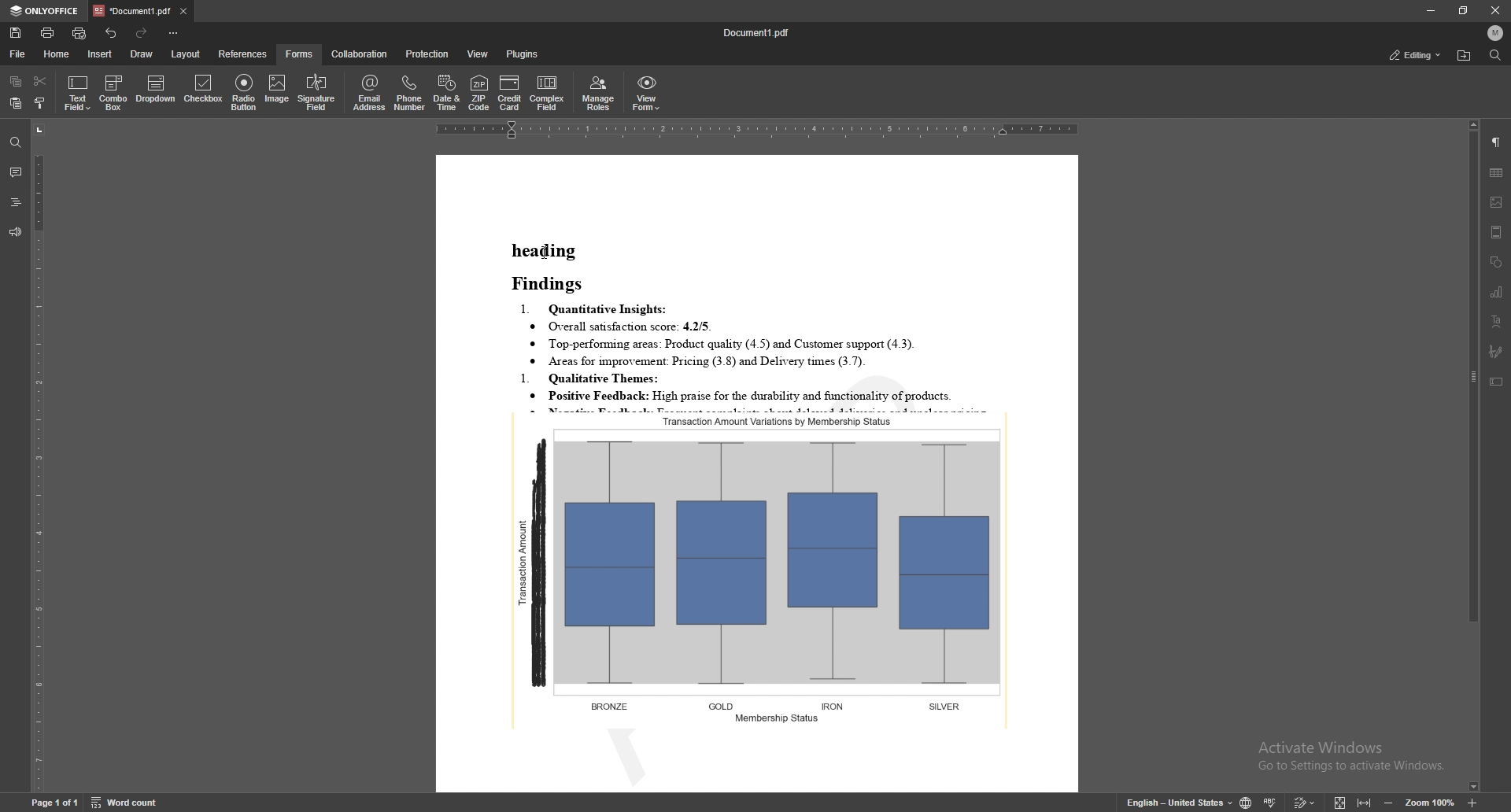 Image resolution: width=1511 pixels, height=812 pixels. Describe the element at coordinates (1495, 33) in the screenshot. I see `profile` at that location.